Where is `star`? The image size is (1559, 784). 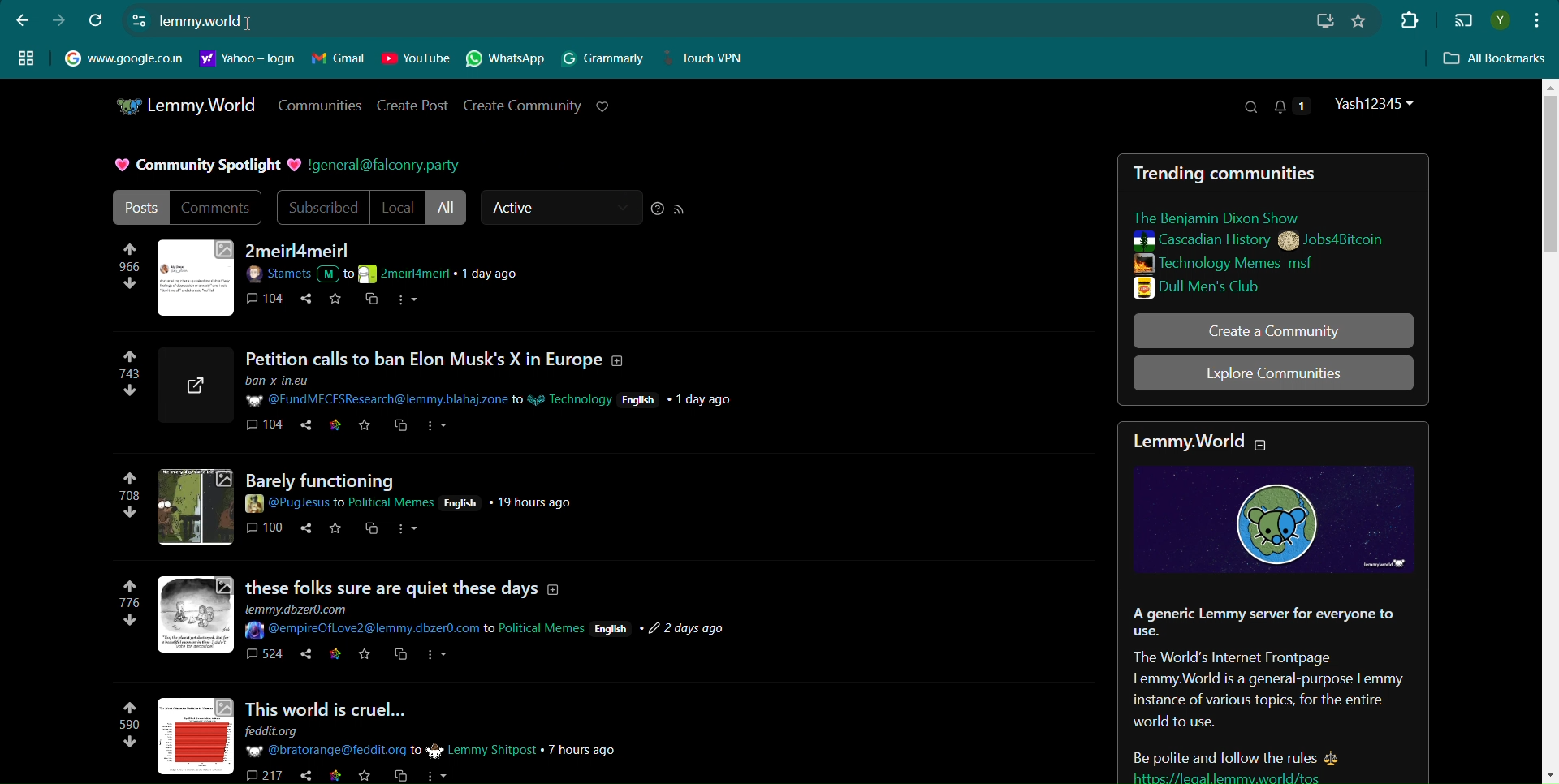
star is located at coordinates (335, 530).